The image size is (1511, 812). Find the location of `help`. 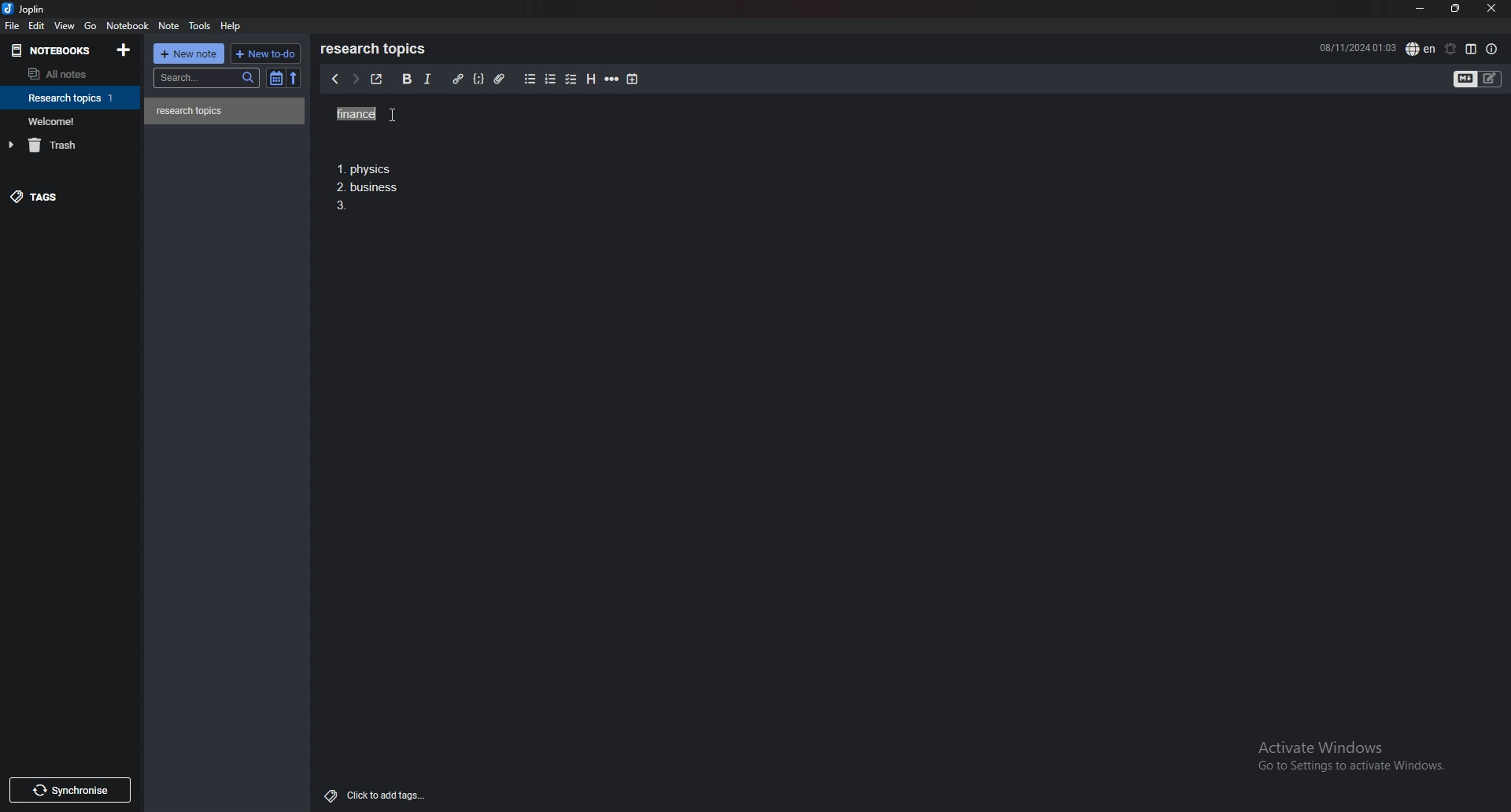

help is located at coordinates (233, 25).